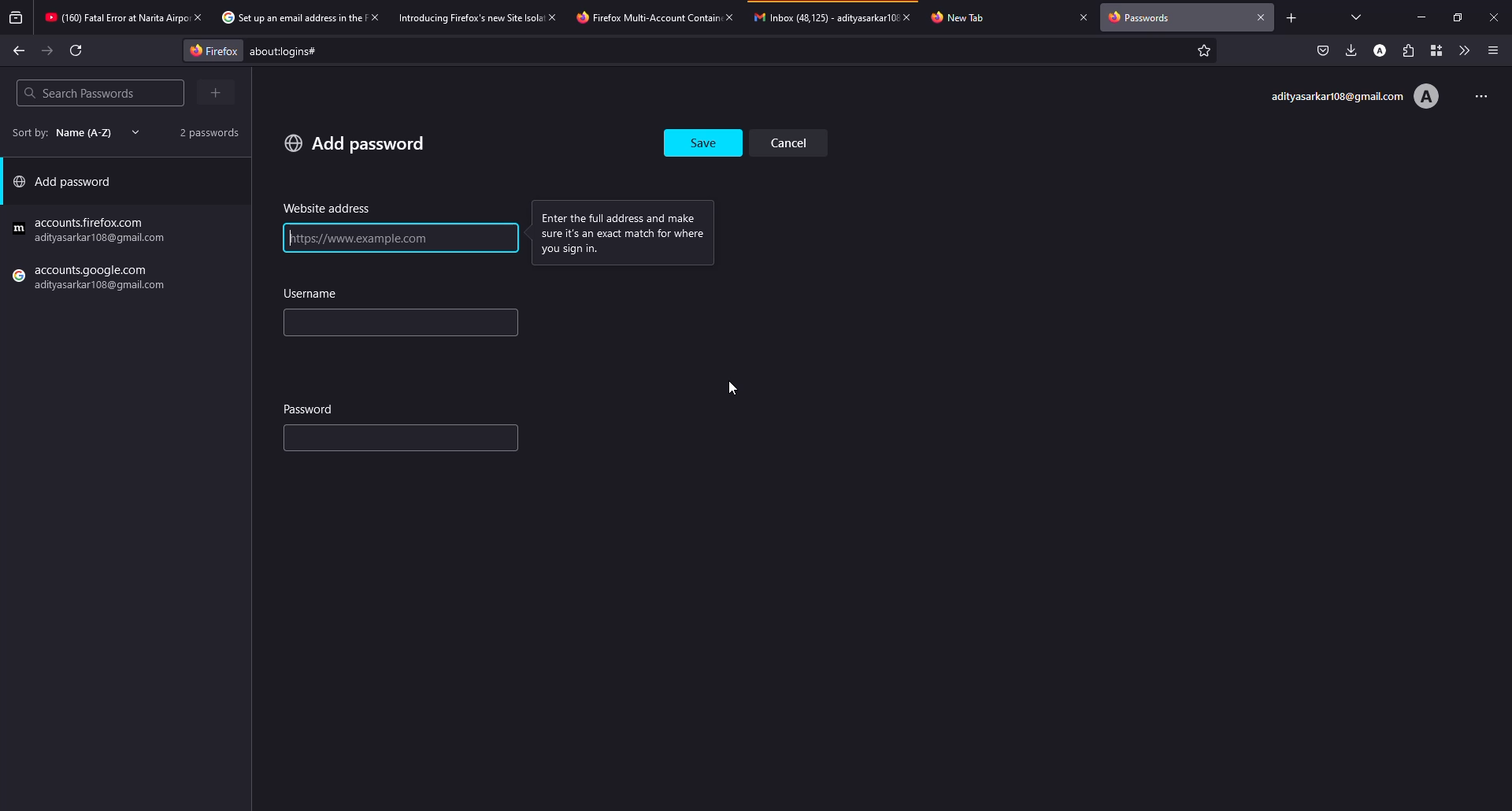 This screenshot has height=811, width=1512. Describe the element at coordinates (113, 19) in the screenshot. I see `tab` at that location.